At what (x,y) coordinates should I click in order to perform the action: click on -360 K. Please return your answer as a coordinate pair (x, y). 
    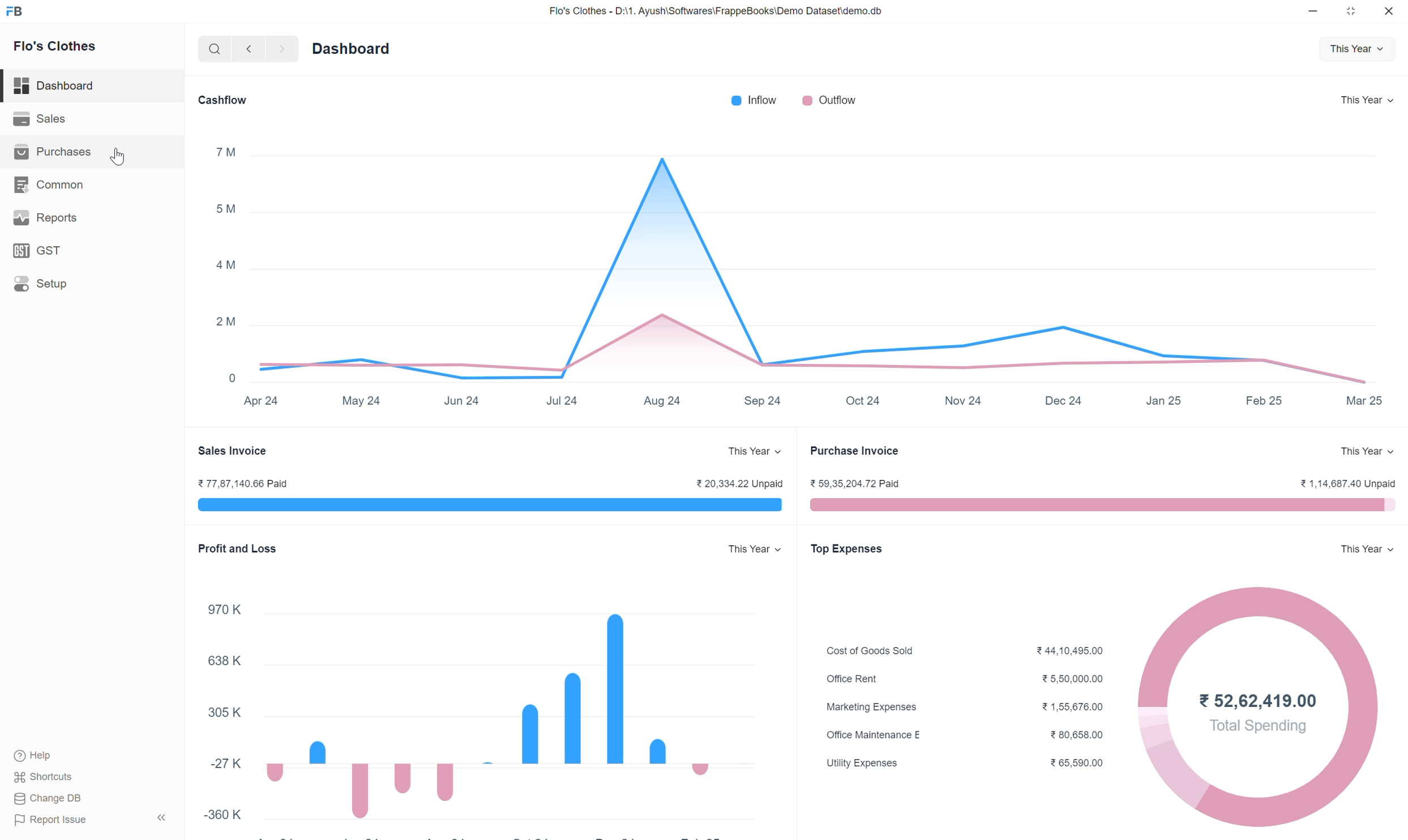
    Looking at the image, I should click on (222, 815).